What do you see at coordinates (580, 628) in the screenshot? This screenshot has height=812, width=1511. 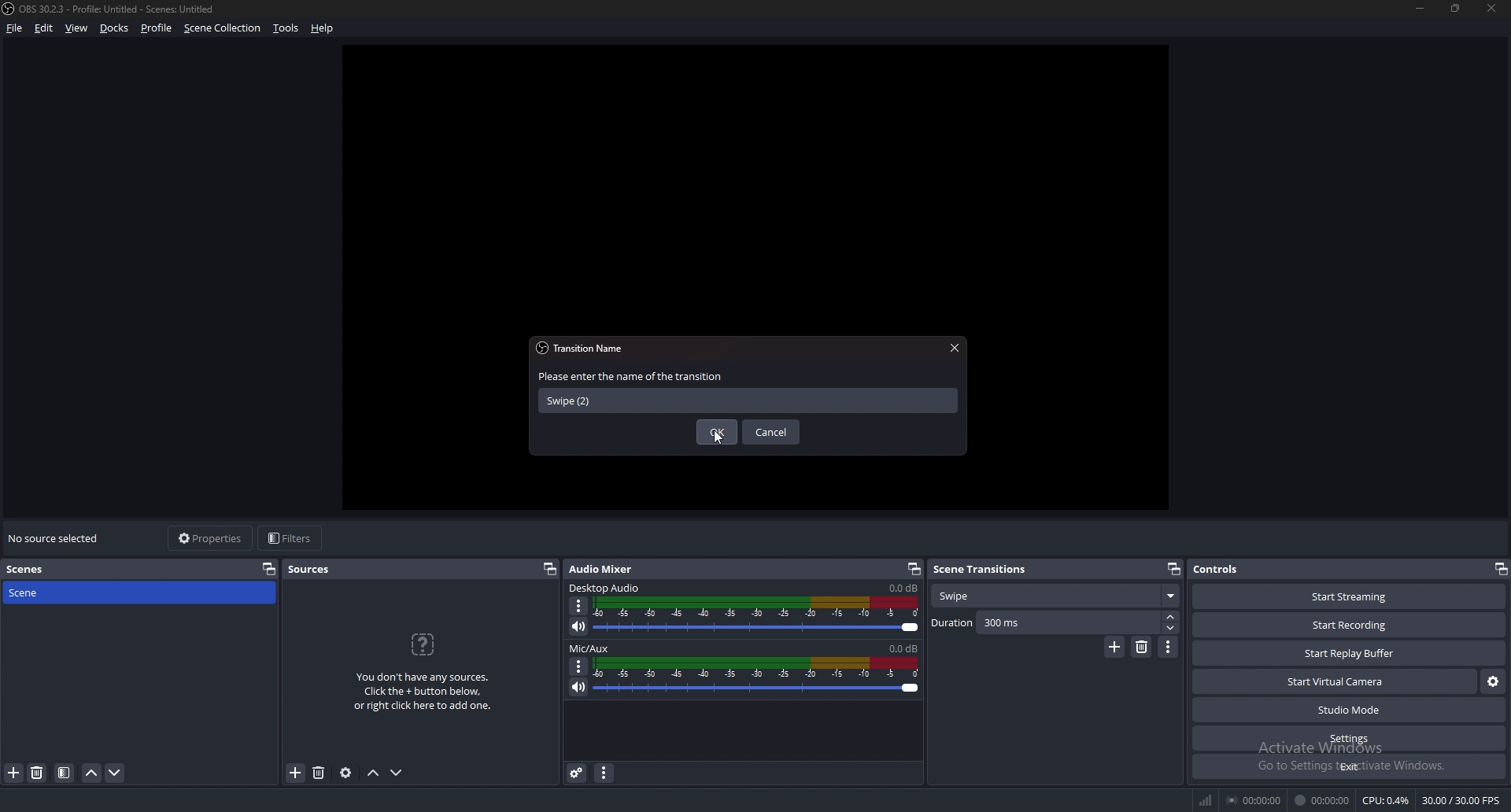 I see `mute` at bounding box center [580, 628].